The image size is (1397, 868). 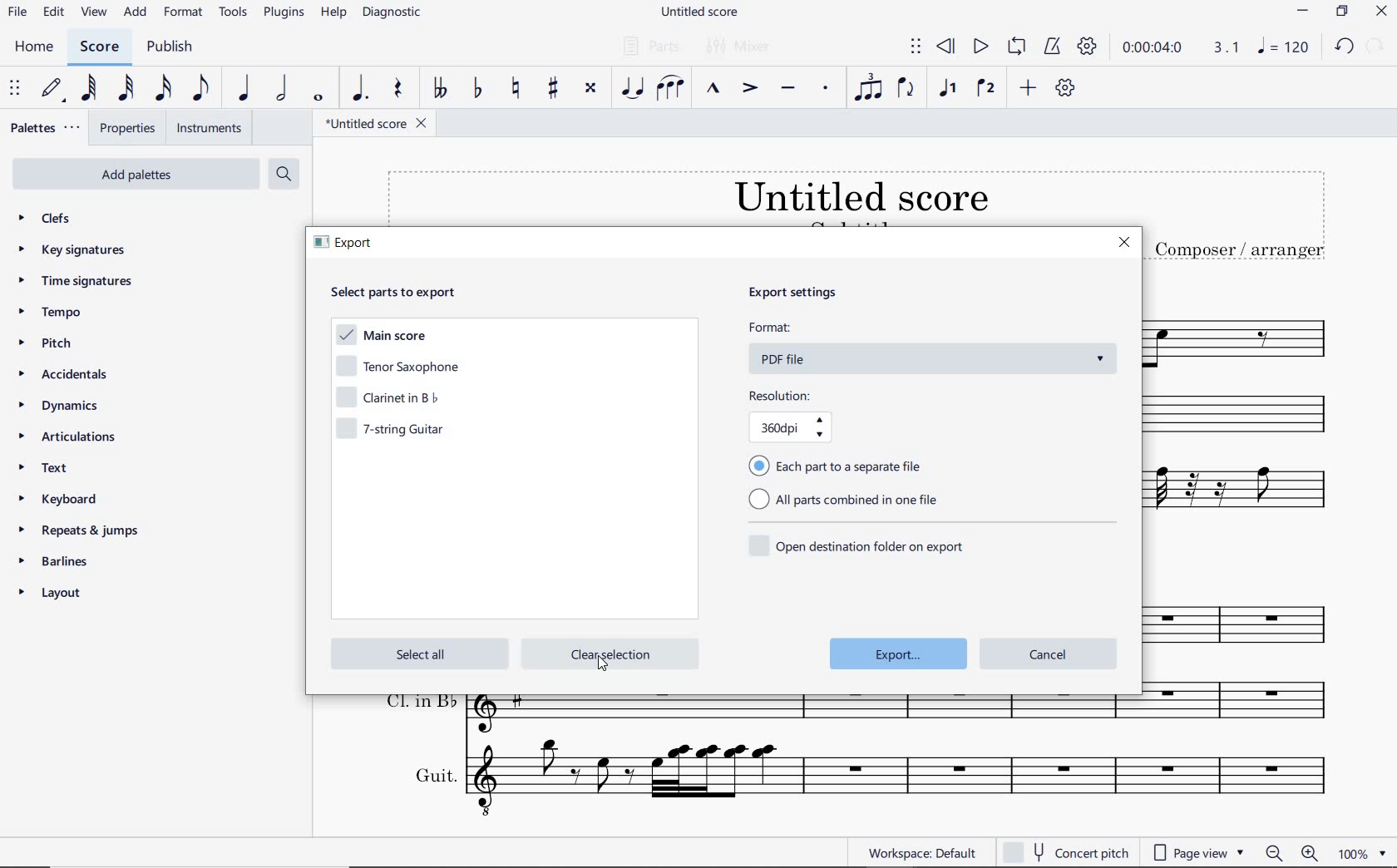 What do you see at coordinates (378, 338) in the screenshot?
I see `main score (selected)` at bounding box center [378, 338].